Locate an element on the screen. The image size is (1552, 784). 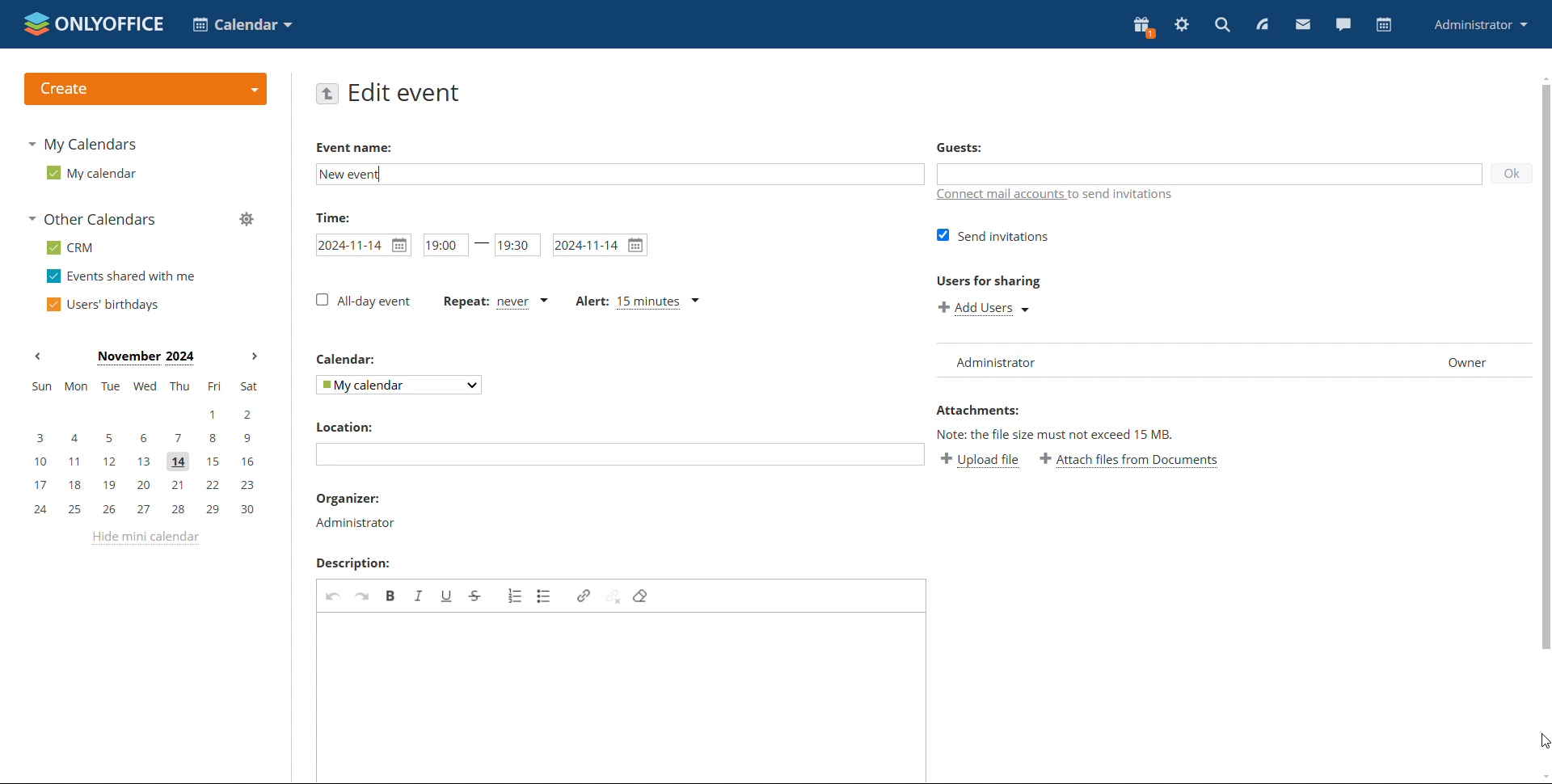
go back is located at coordinates (327, 95).